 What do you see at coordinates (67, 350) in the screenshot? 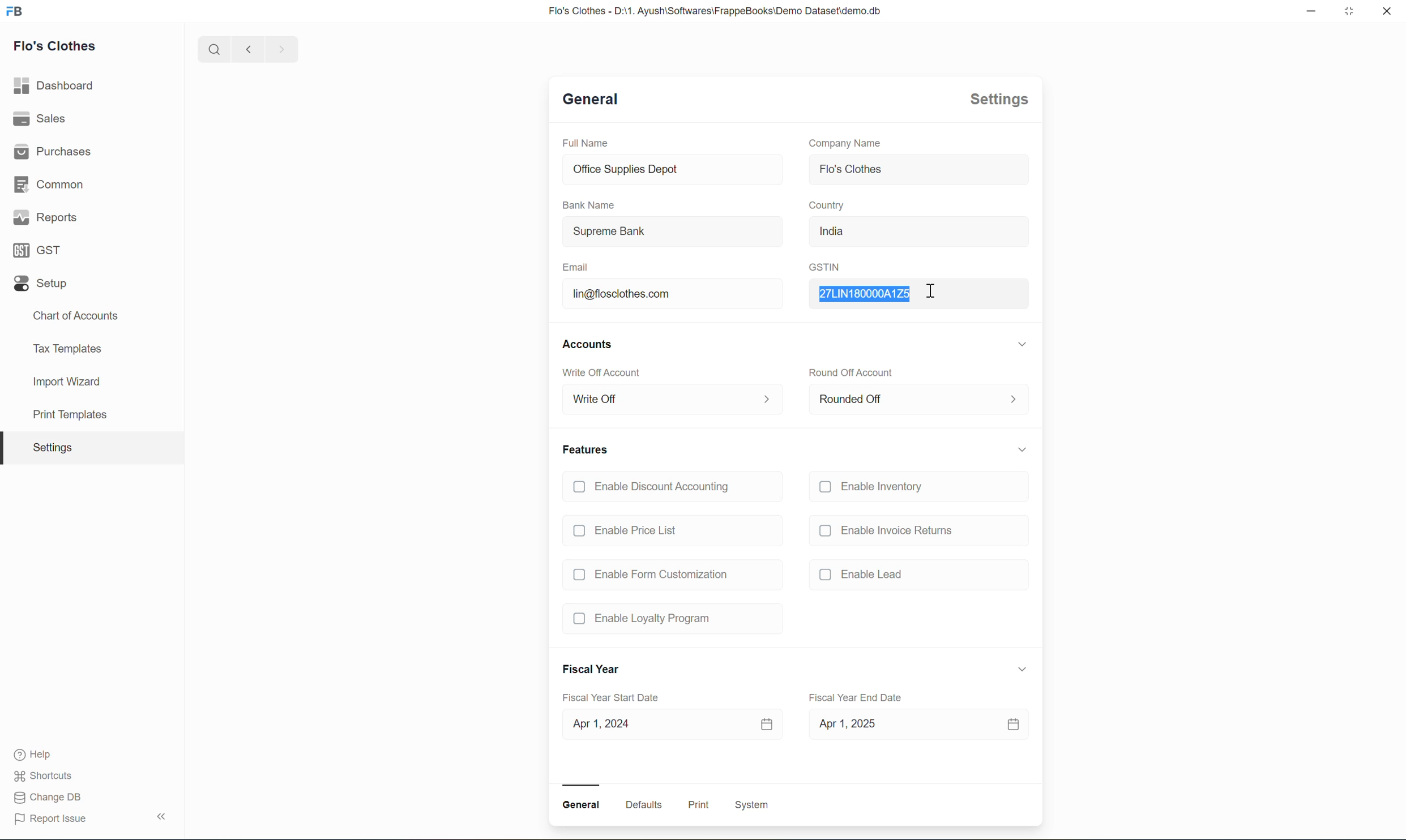
I see `Tax Templates` at bounding box center [67, 350].